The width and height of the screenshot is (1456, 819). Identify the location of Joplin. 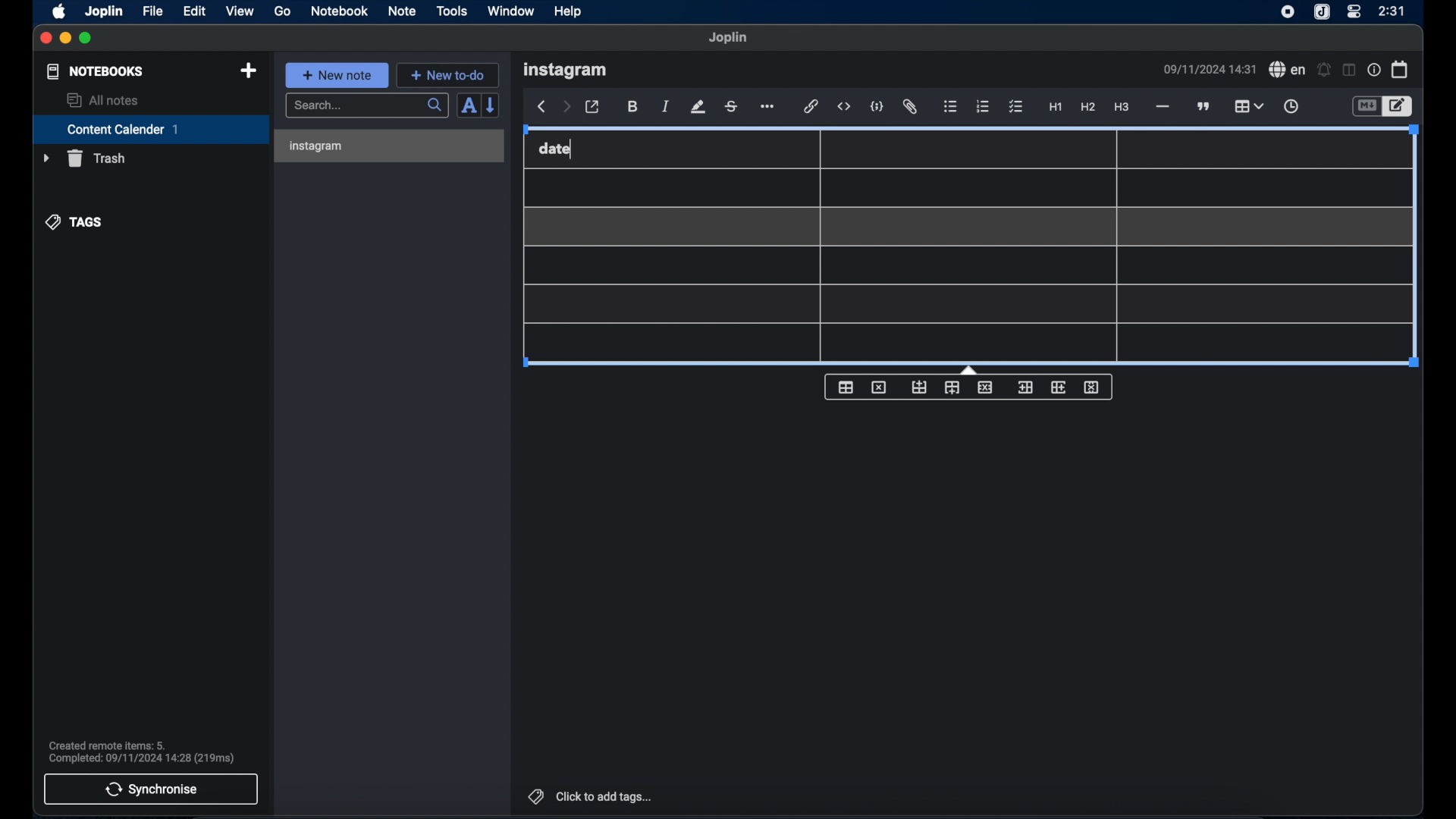
(729, 38).